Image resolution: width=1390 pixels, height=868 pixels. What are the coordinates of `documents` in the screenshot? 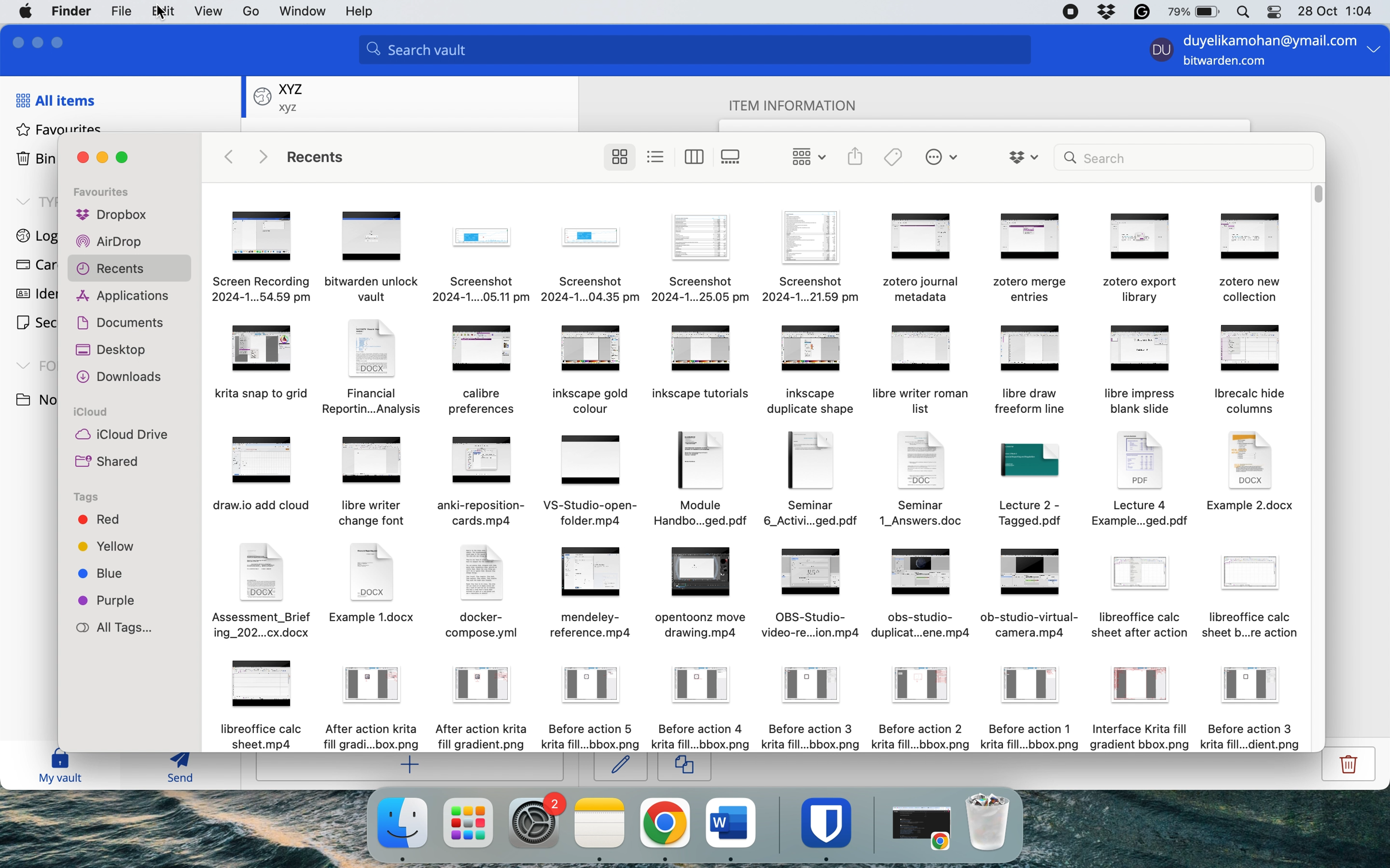 It's located at (126, 321).